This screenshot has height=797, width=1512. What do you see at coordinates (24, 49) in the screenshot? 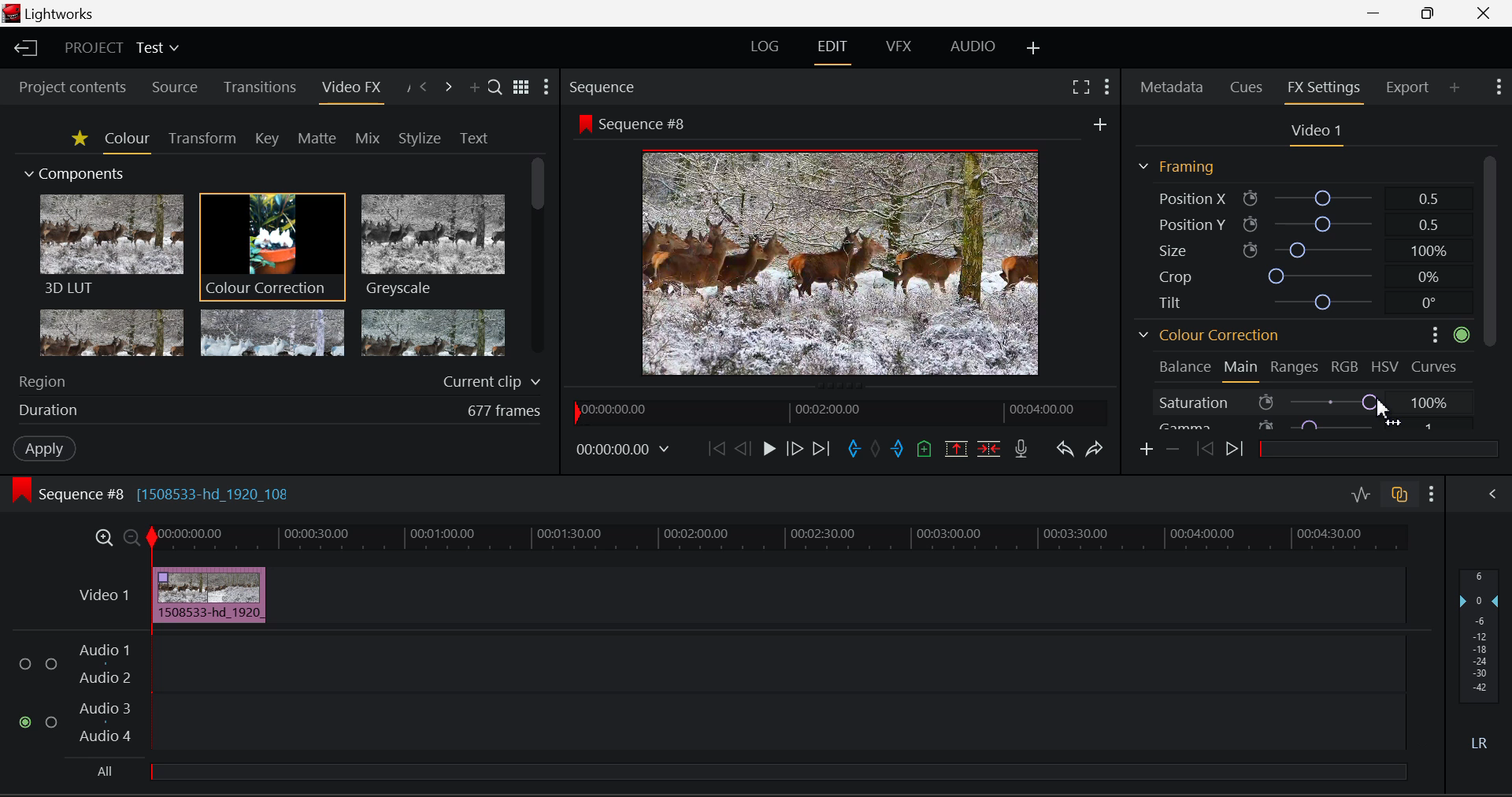
I see `Back to Homepage` at bounding box center [24, 49].